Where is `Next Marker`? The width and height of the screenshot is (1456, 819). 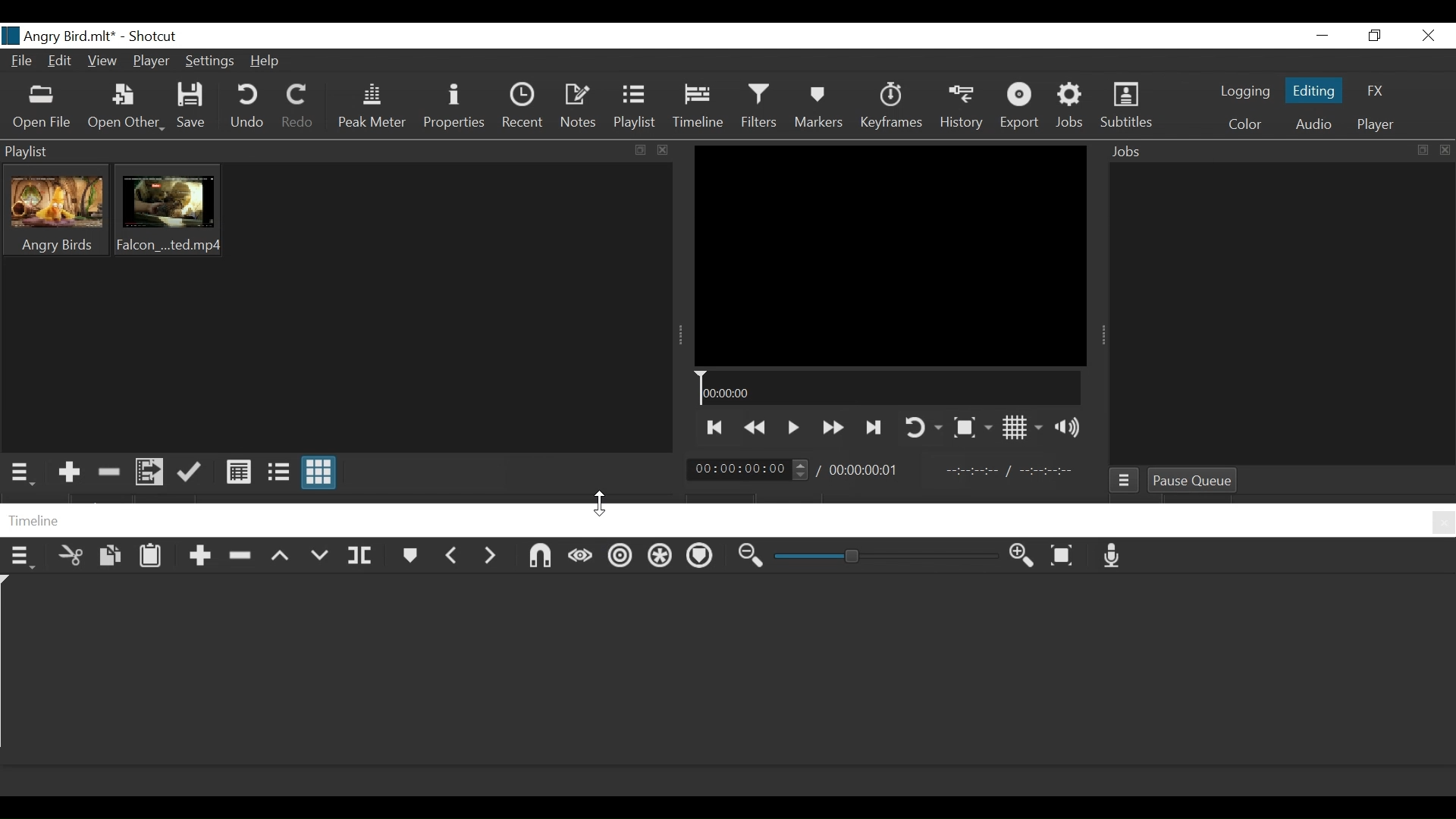 Next Marker is located at coordinates (494, 560).